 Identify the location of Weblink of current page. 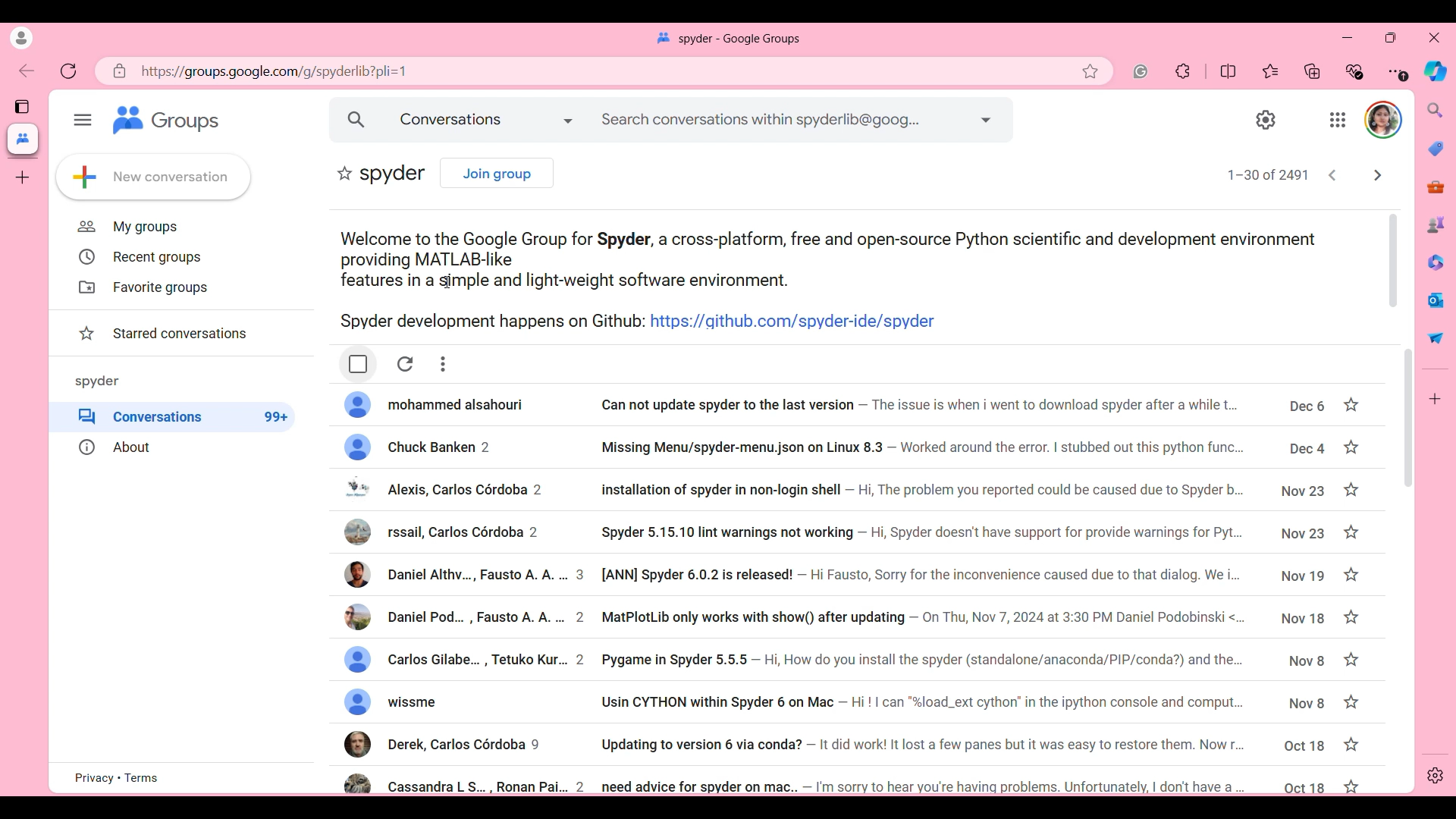
(560, 71).